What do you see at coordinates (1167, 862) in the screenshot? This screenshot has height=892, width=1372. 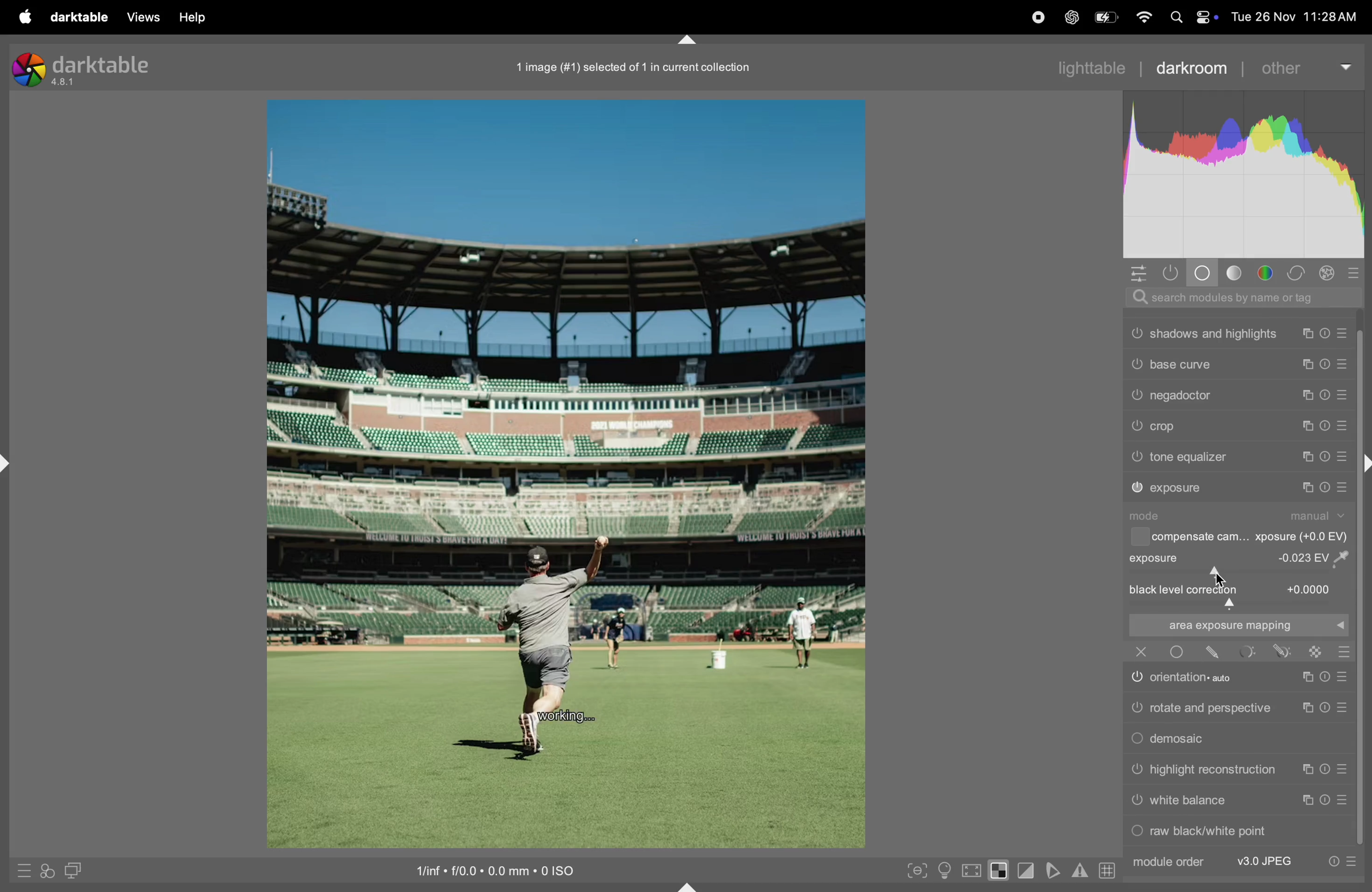 I see `module order` at bounding box center [1167, 862].